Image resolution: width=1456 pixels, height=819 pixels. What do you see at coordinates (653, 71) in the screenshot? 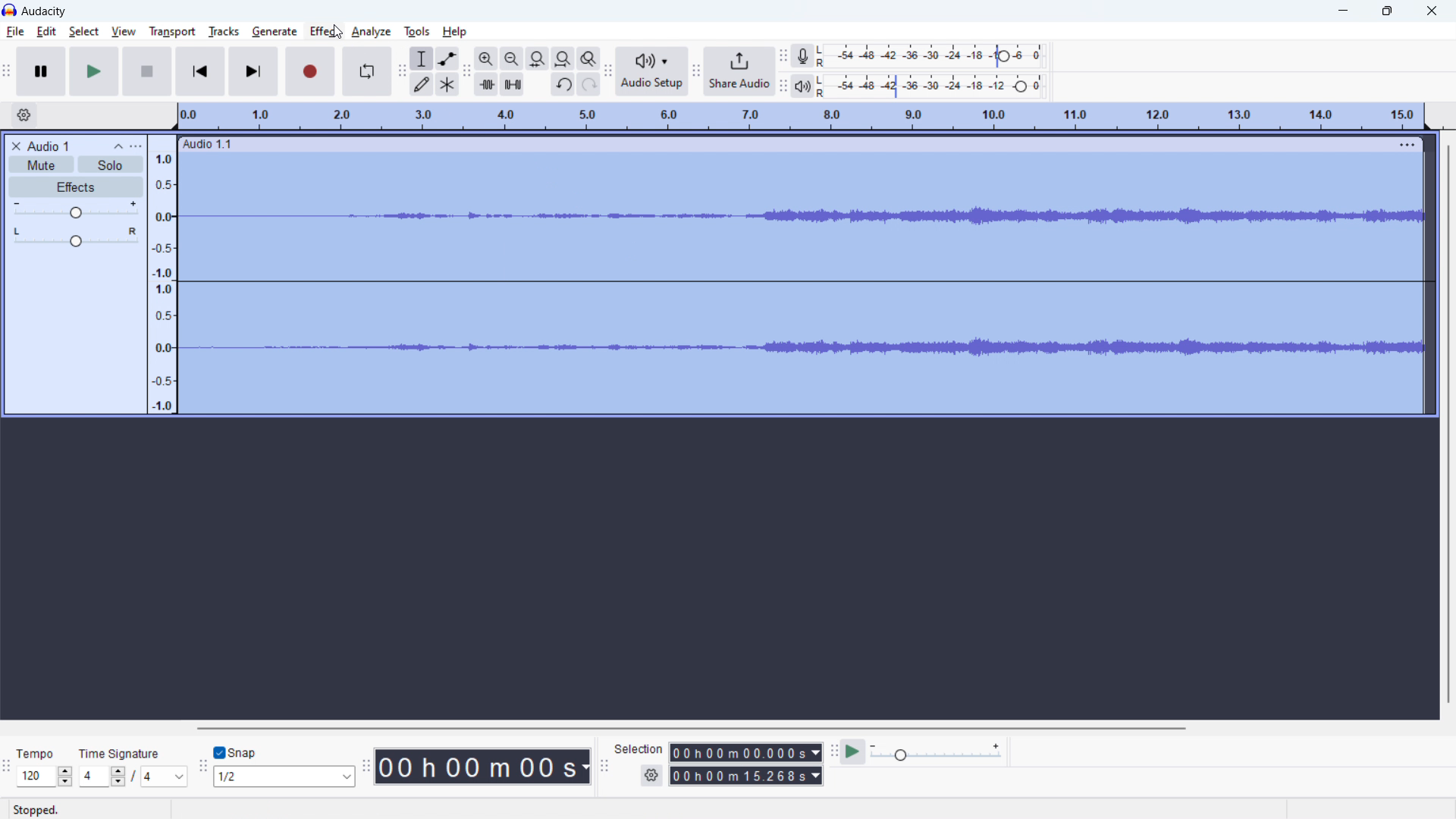
I see `audio setup` at bounding box center [653, 71].